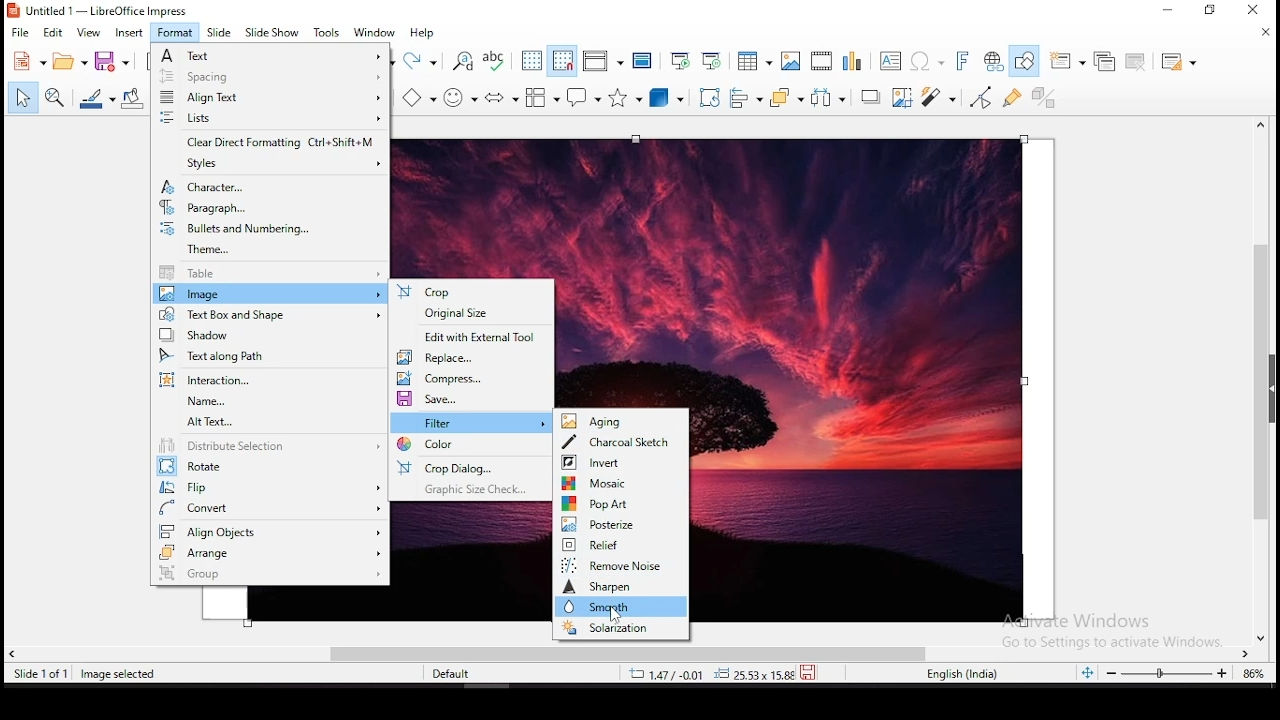 The height and width of the screenshot is (720, 1280). What do you see at coordinates (1028, 60) in the screenshot?
I see `show draw functions` at bounding box center [1028, 60].